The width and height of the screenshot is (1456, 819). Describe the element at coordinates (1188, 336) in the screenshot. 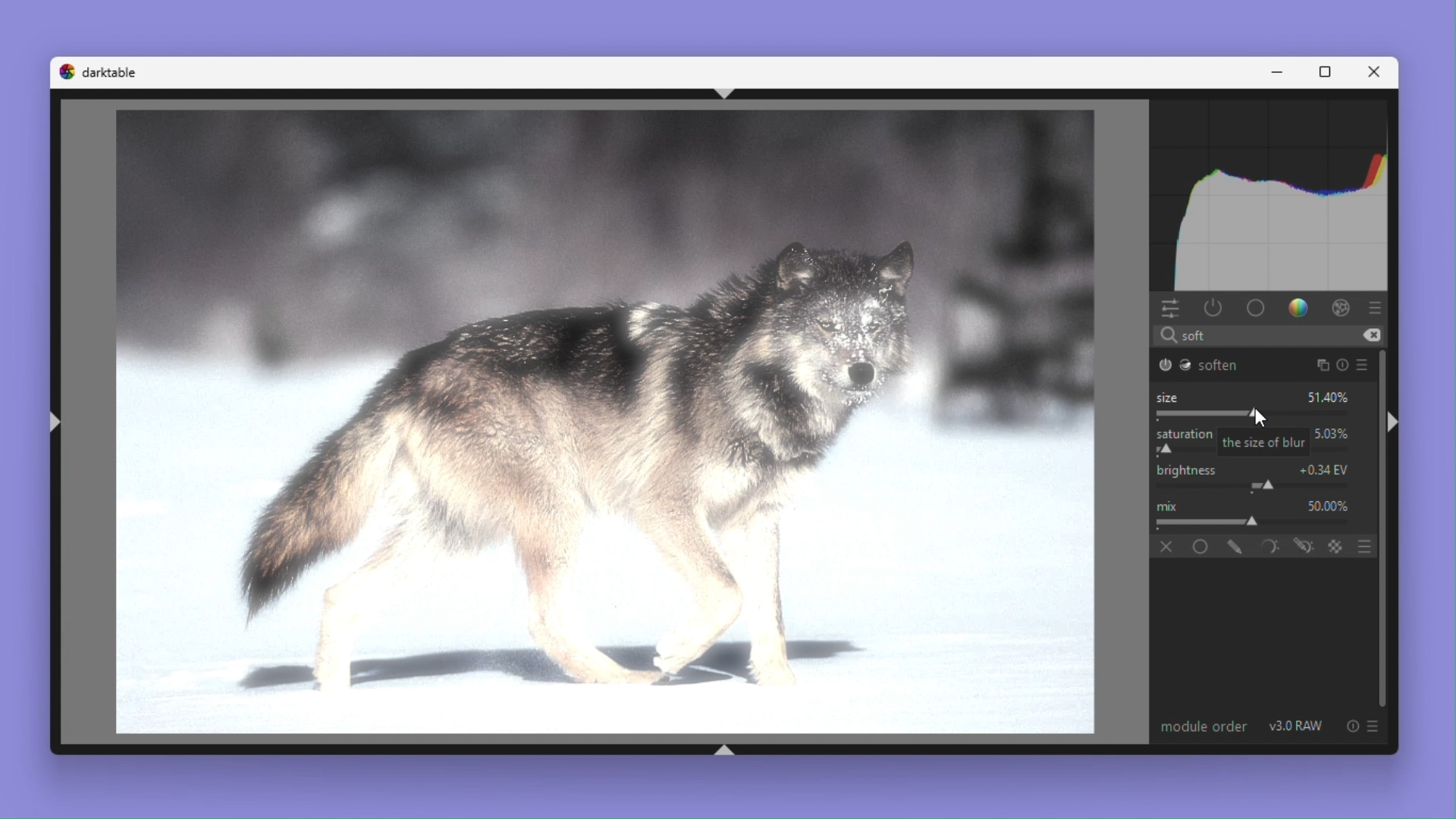

I see `text "soft"` at that location.